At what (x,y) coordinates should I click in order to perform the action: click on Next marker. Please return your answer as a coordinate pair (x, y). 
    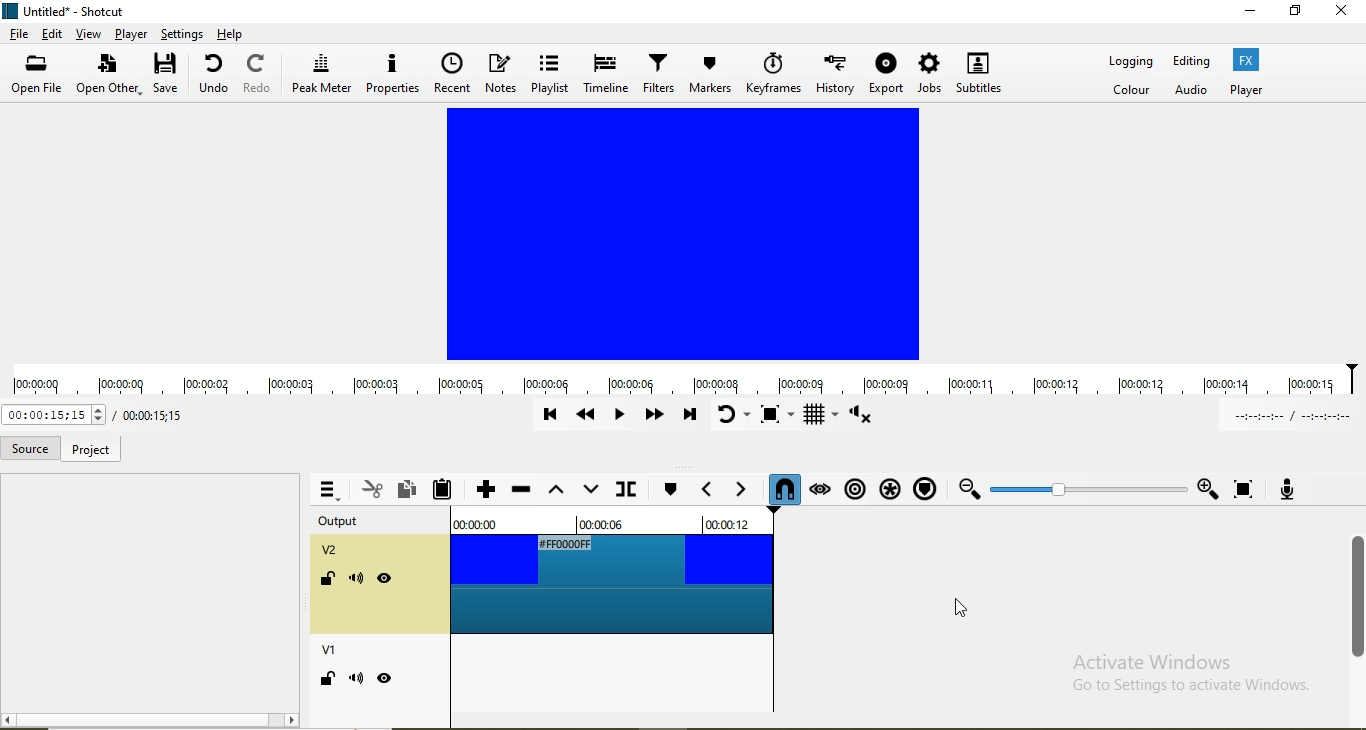
    Looking at the image, I should click on (669, 490).